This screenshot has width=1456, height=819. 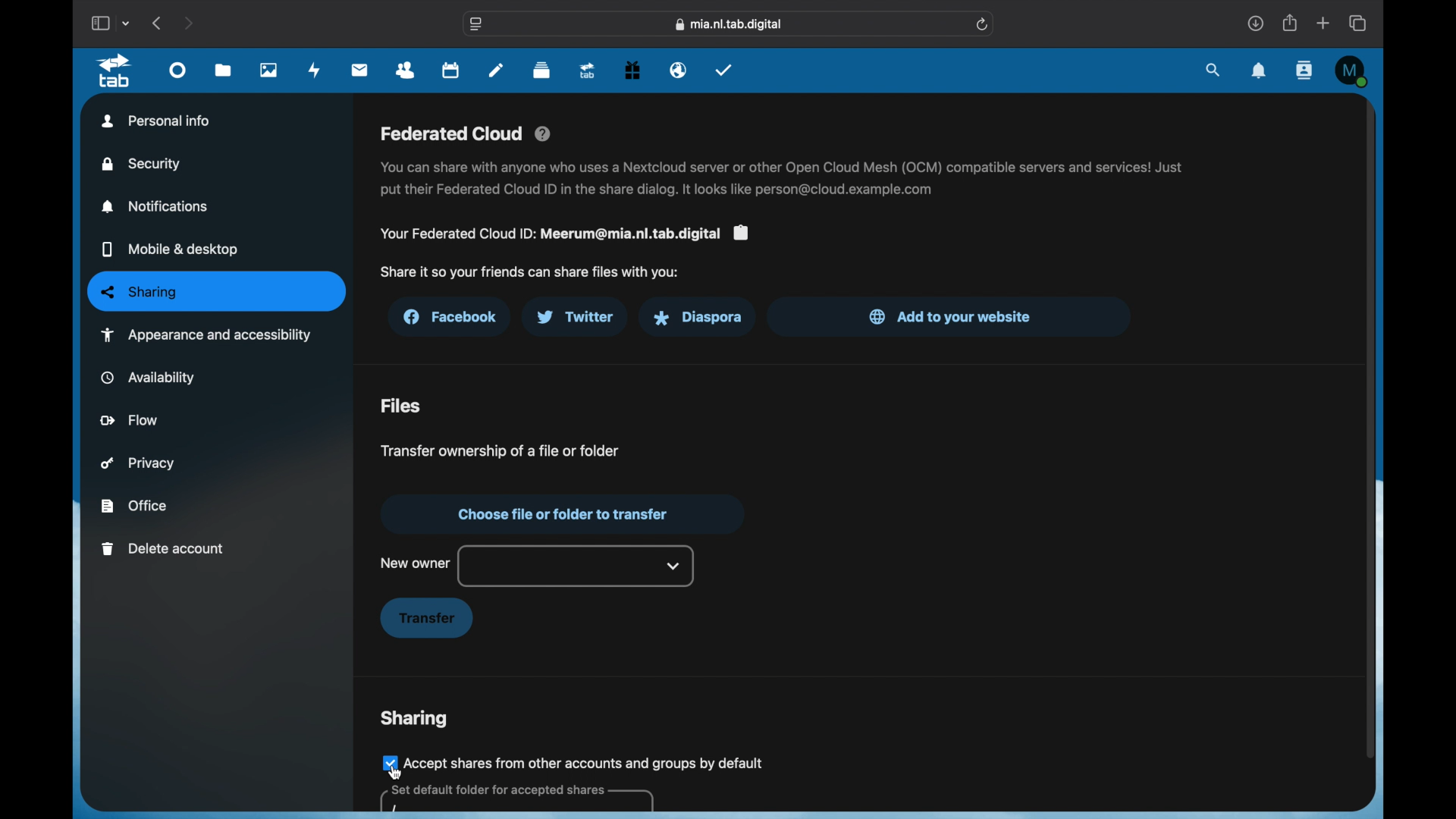 What do you see at coordinates (984, 24) in the screenshot?
I see `refresh` at bounding box center [984, 24].